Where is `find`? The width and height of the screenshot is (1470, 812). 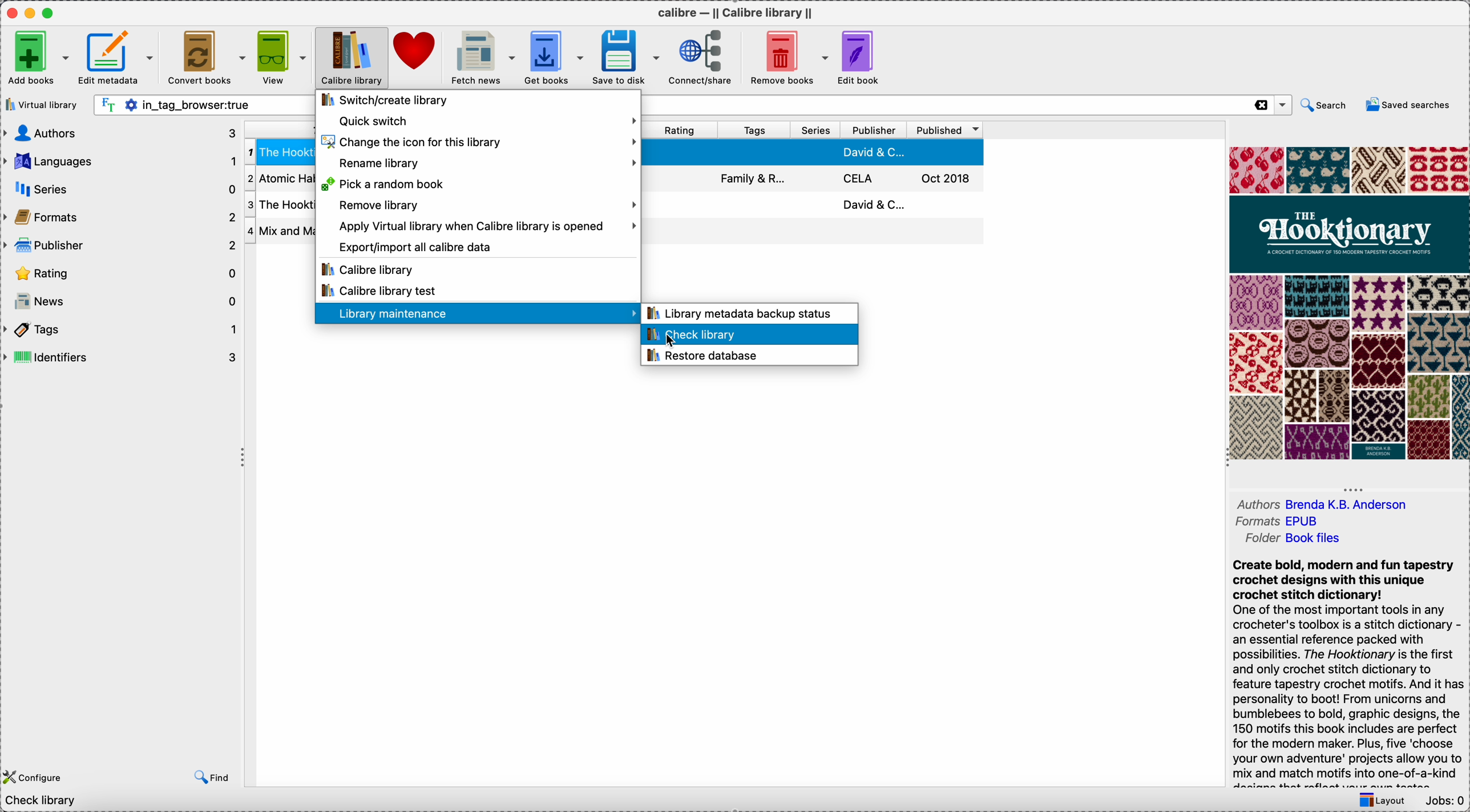
find is located at coordinates (208, 778).